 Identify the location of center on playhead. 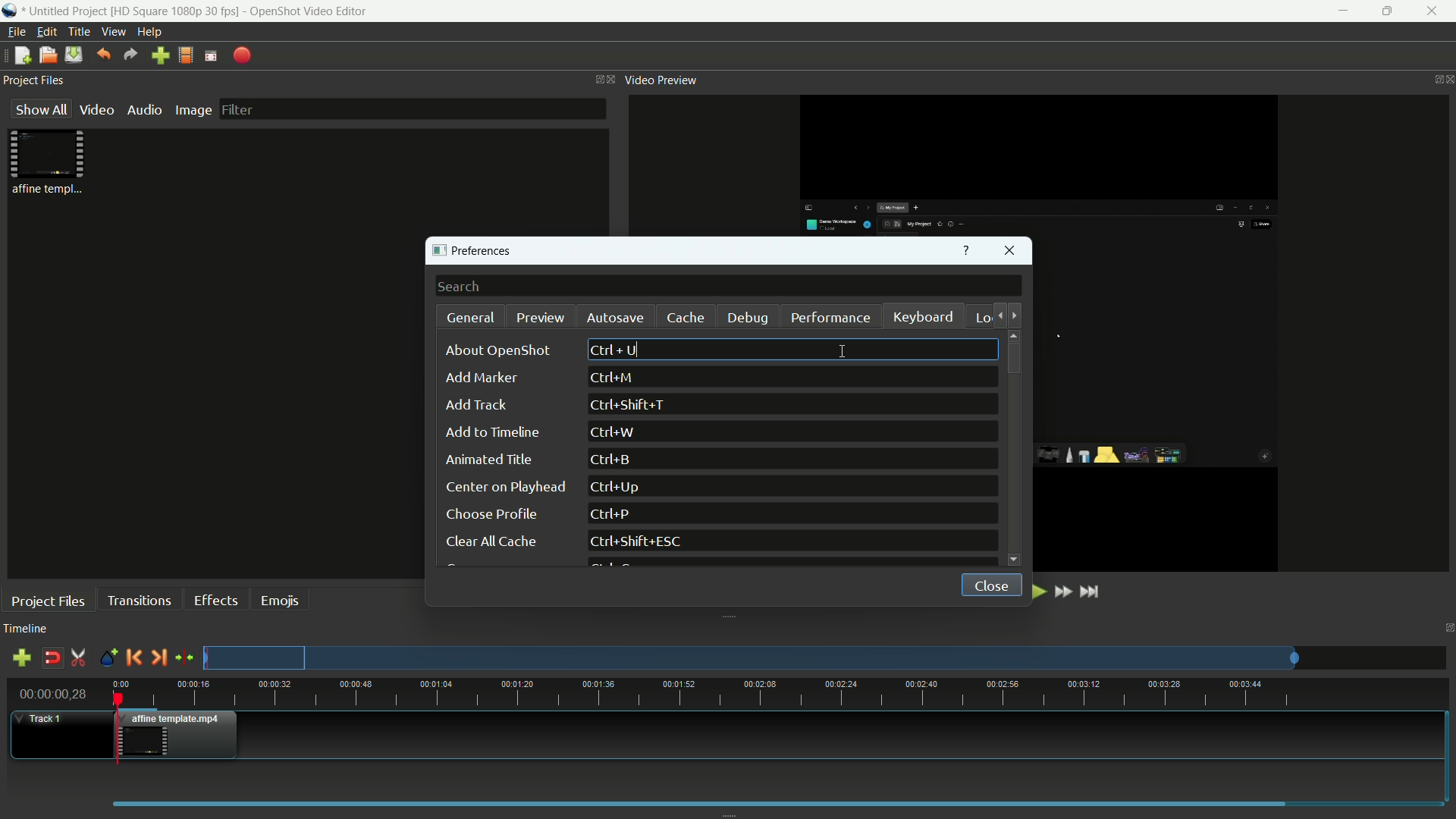
(504, 487).